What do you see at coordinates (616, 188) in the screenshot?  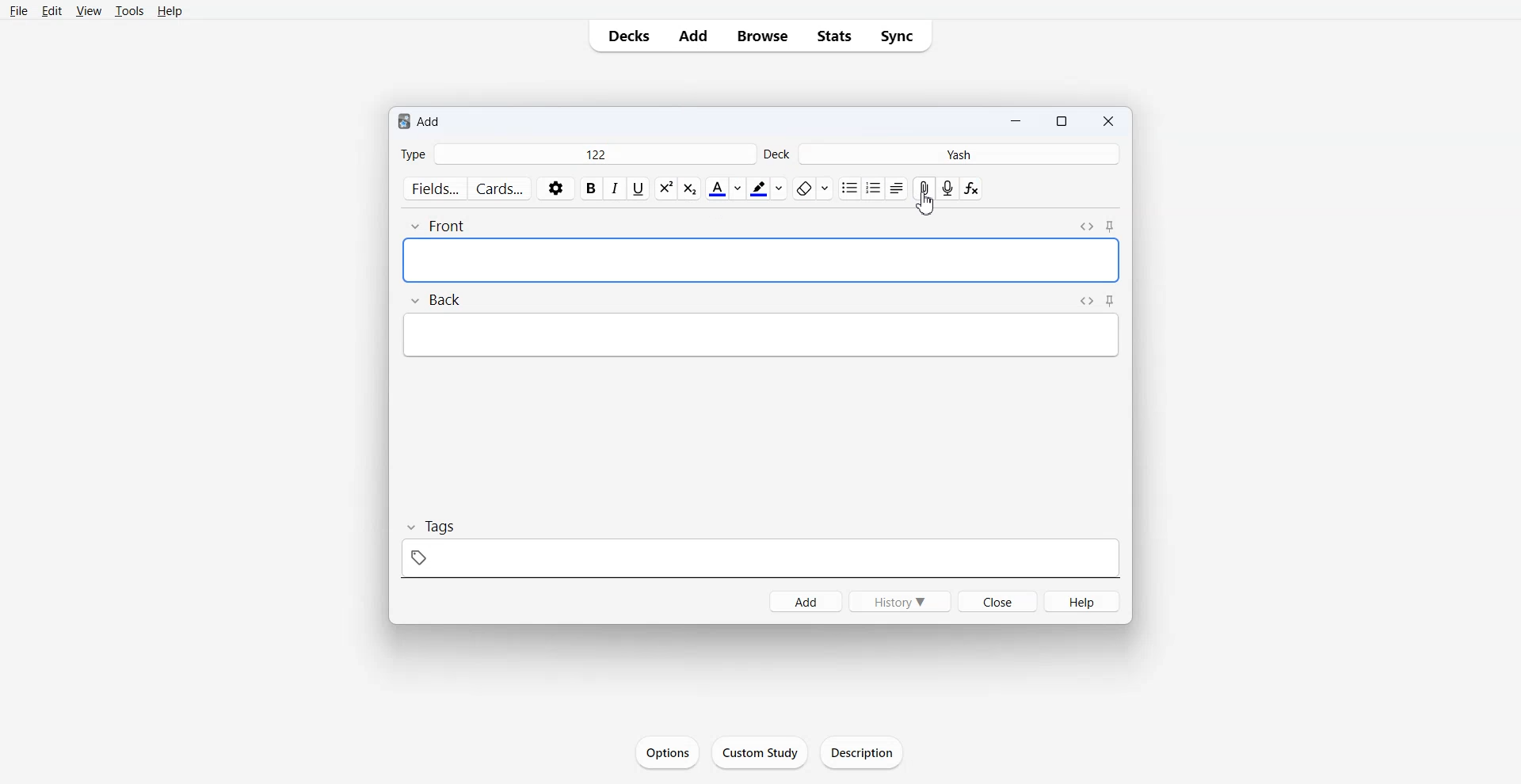 I see `Italic` at bounding box center [616, 188].